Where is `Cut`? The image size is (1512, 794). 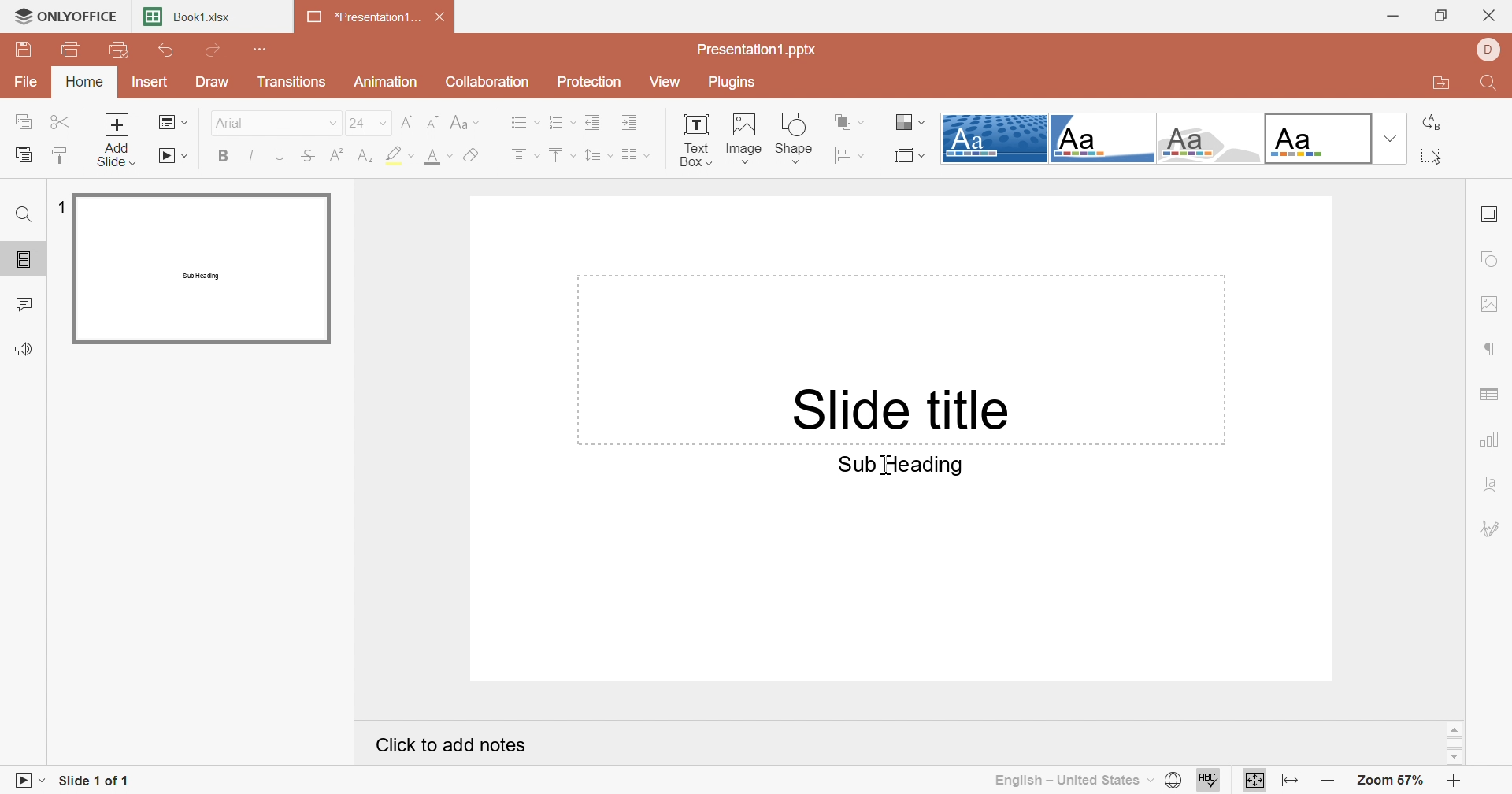 Cut is located at coordinates (61, 121).